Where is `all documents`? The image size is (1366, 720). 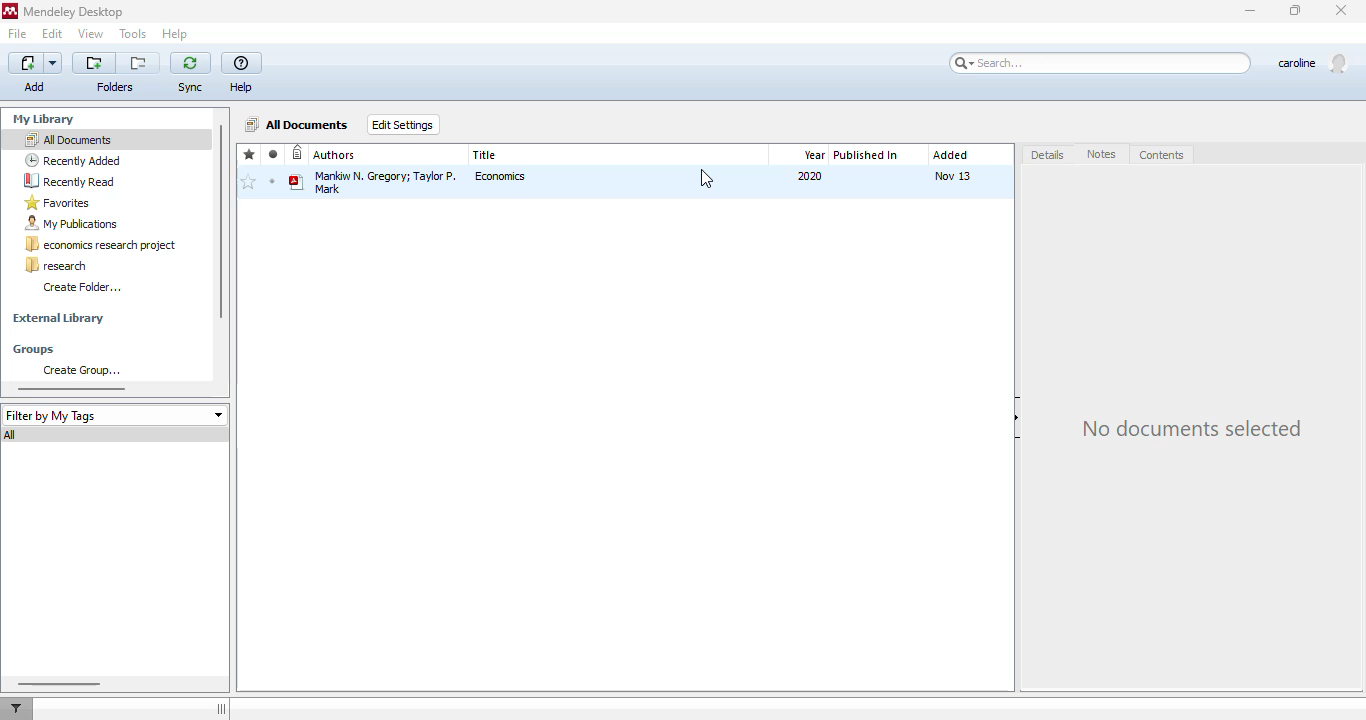
all documents is located at coordinates (67, 139).